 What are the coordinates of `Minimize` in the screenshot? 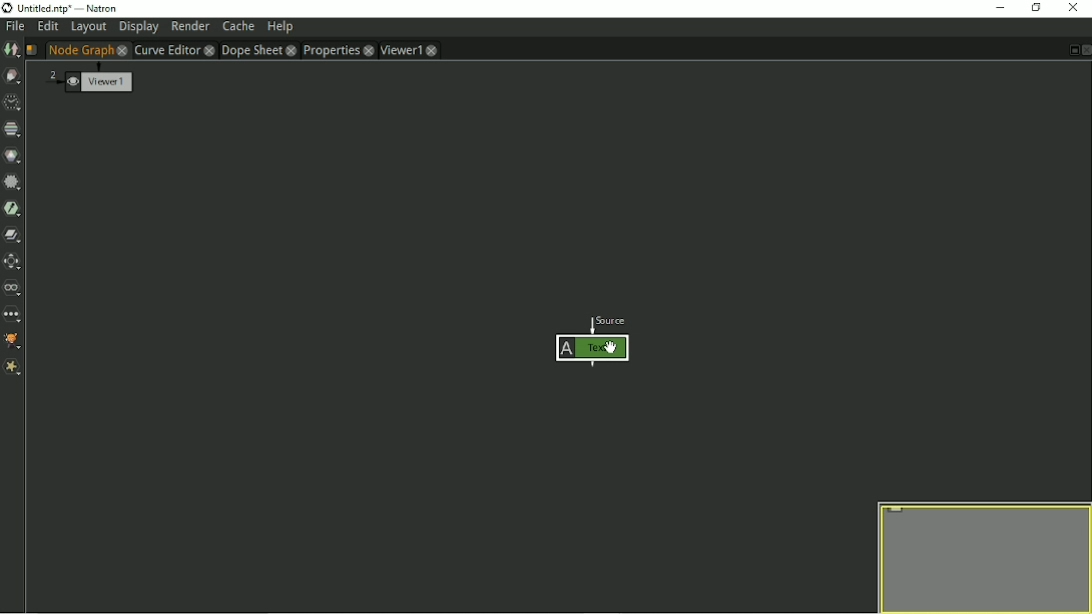 It's located at (998, 7).